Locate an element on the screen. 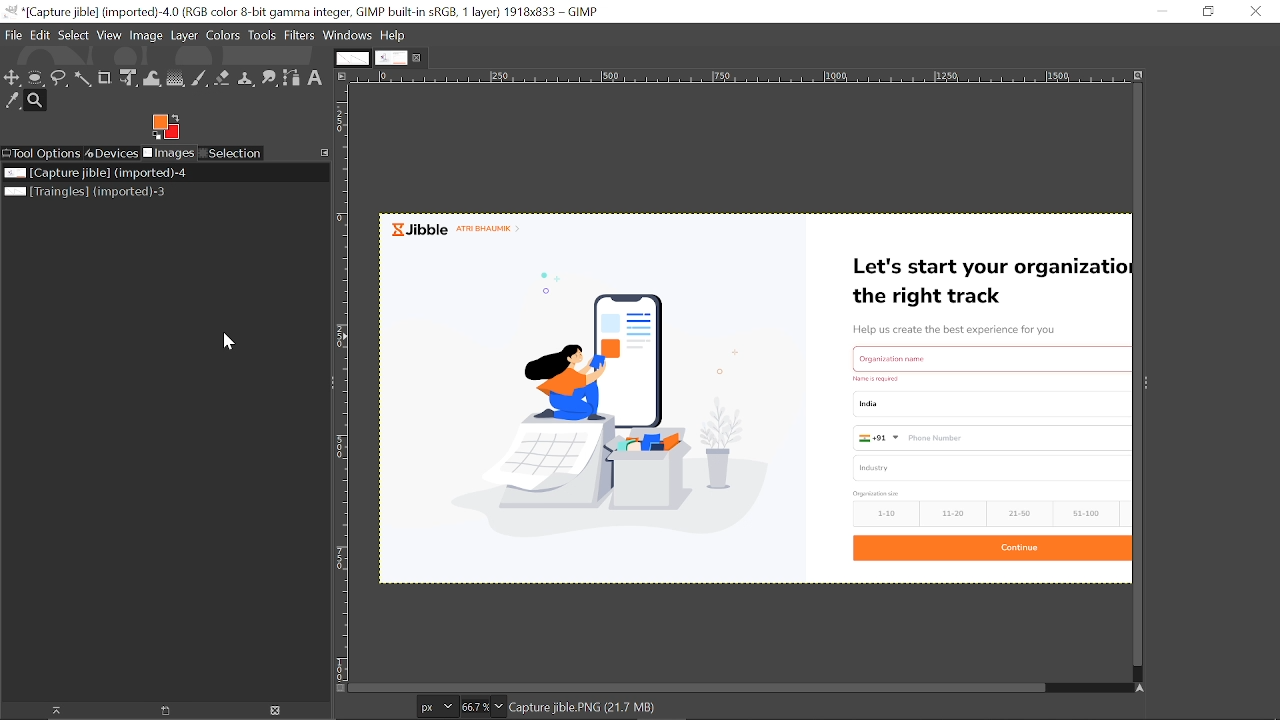 The width and height of the screenshot is (1280, 720). wrap transform is located at coordinates (154, 78).